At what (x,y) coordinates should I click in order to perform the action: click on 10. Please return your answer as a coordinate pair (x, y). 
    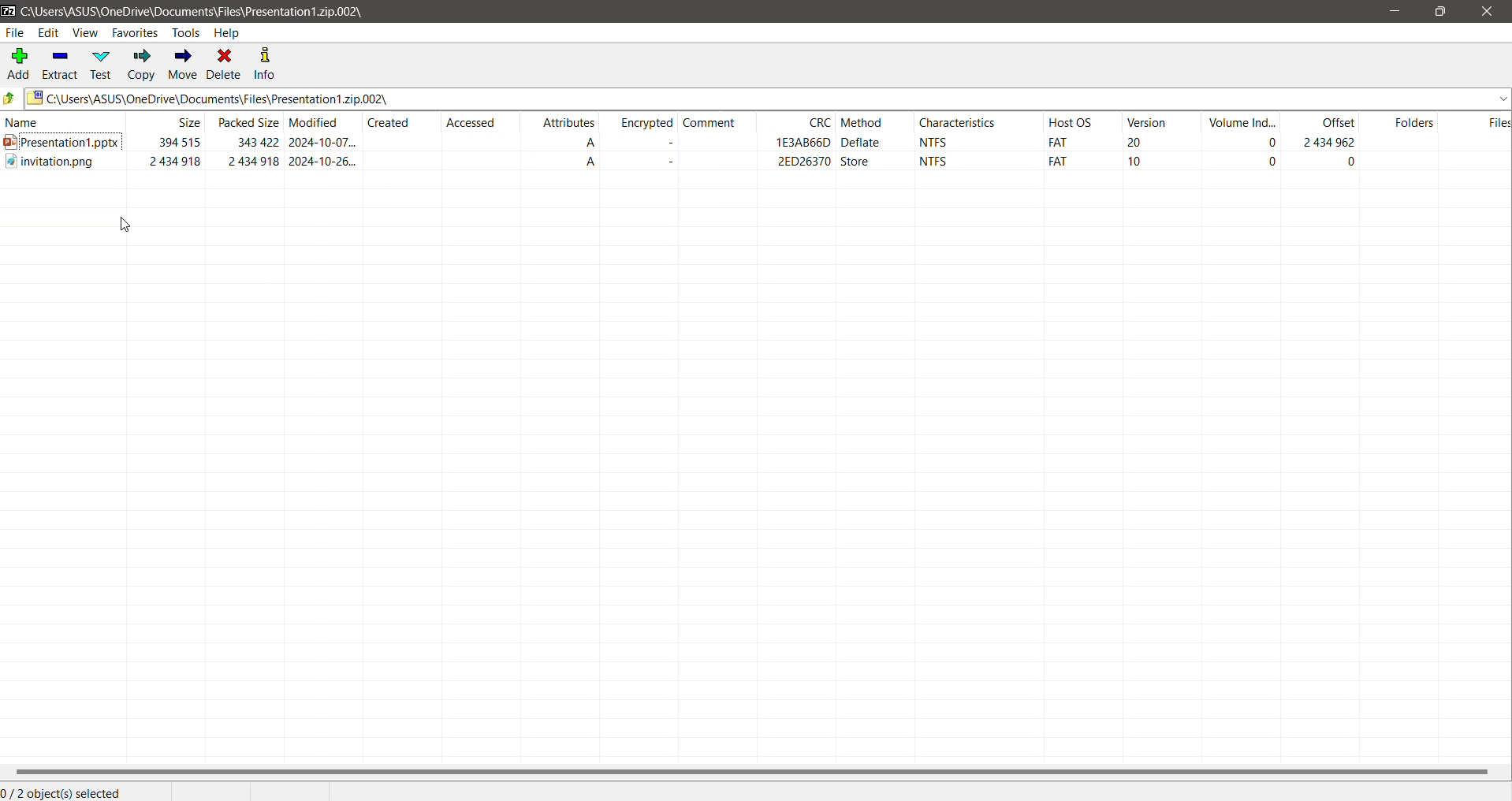
    Looking at the image, I should click on (1140, 162).